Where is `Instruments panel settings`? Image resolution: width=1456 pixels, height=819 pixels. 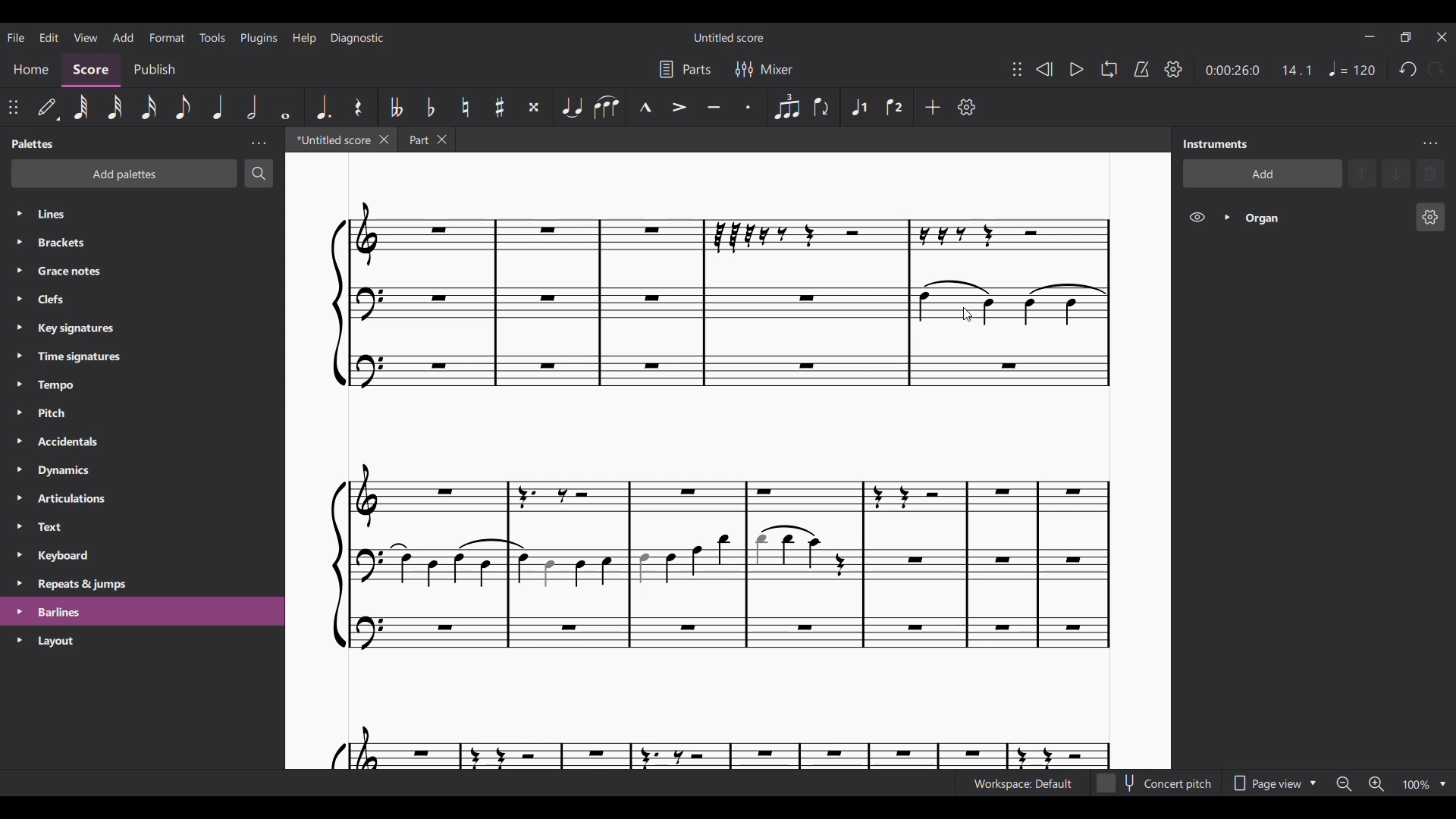
Instruments panel settings is located at coordinates (1429, 143).